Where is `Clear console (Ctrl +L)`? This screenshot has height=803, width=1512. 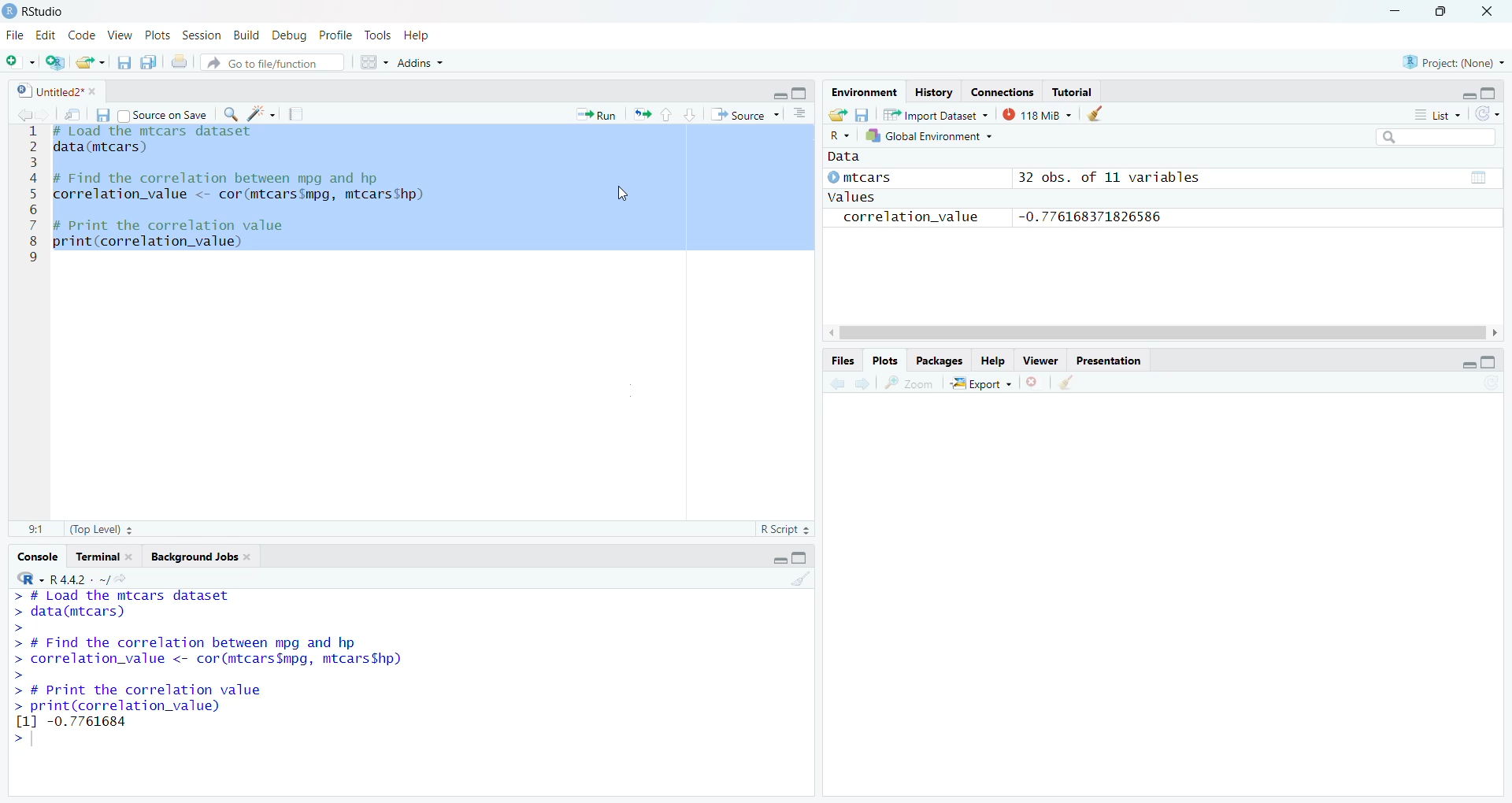
Clear console (Ctrl +L) is located at coordinates (1068, 385).